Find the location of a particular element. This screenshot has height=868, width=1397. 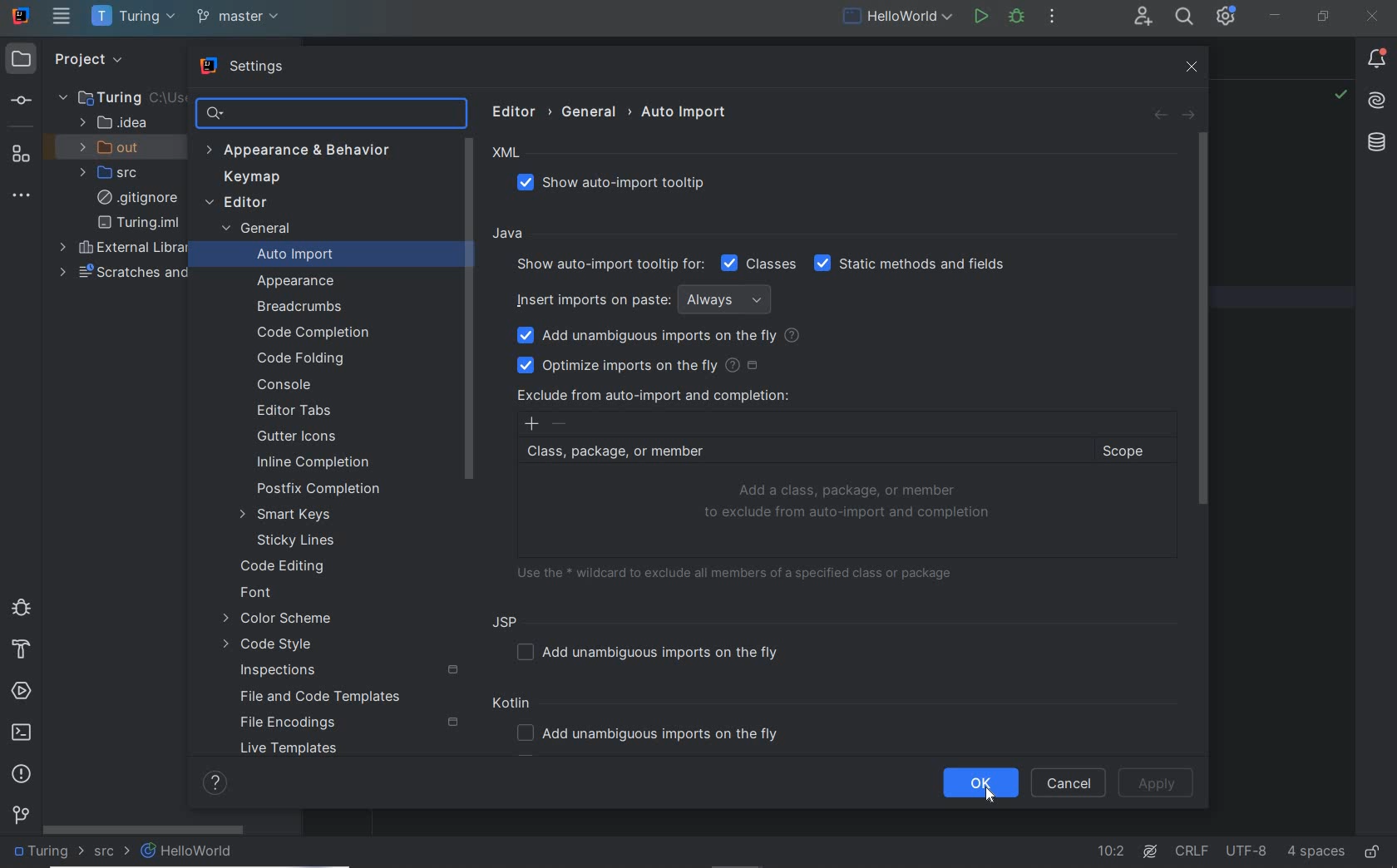

forward is located at coordinates (1187, 116).